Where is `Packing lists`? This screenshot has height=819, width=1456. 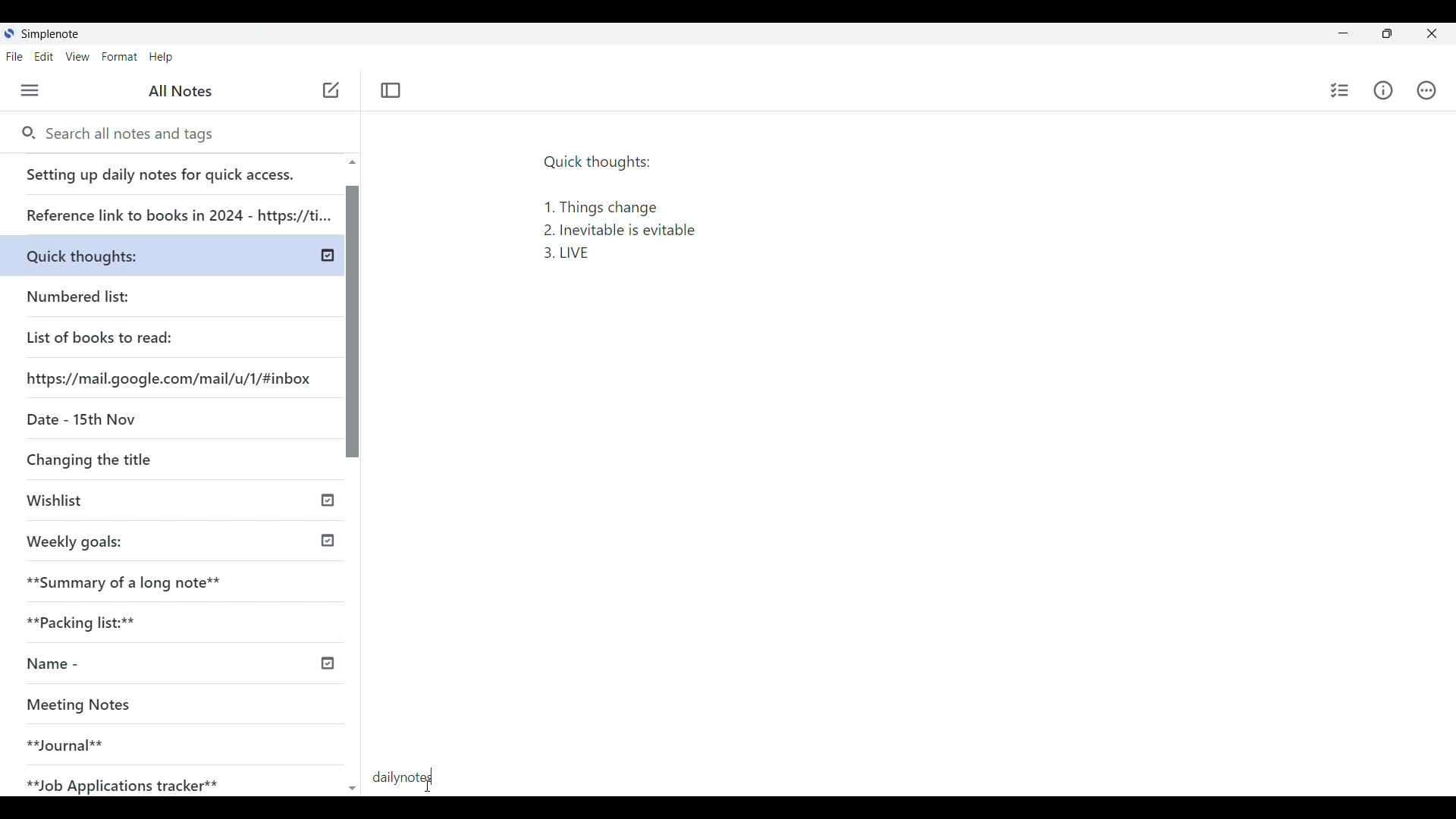 Packing lists is located at coordinates (179, 620).